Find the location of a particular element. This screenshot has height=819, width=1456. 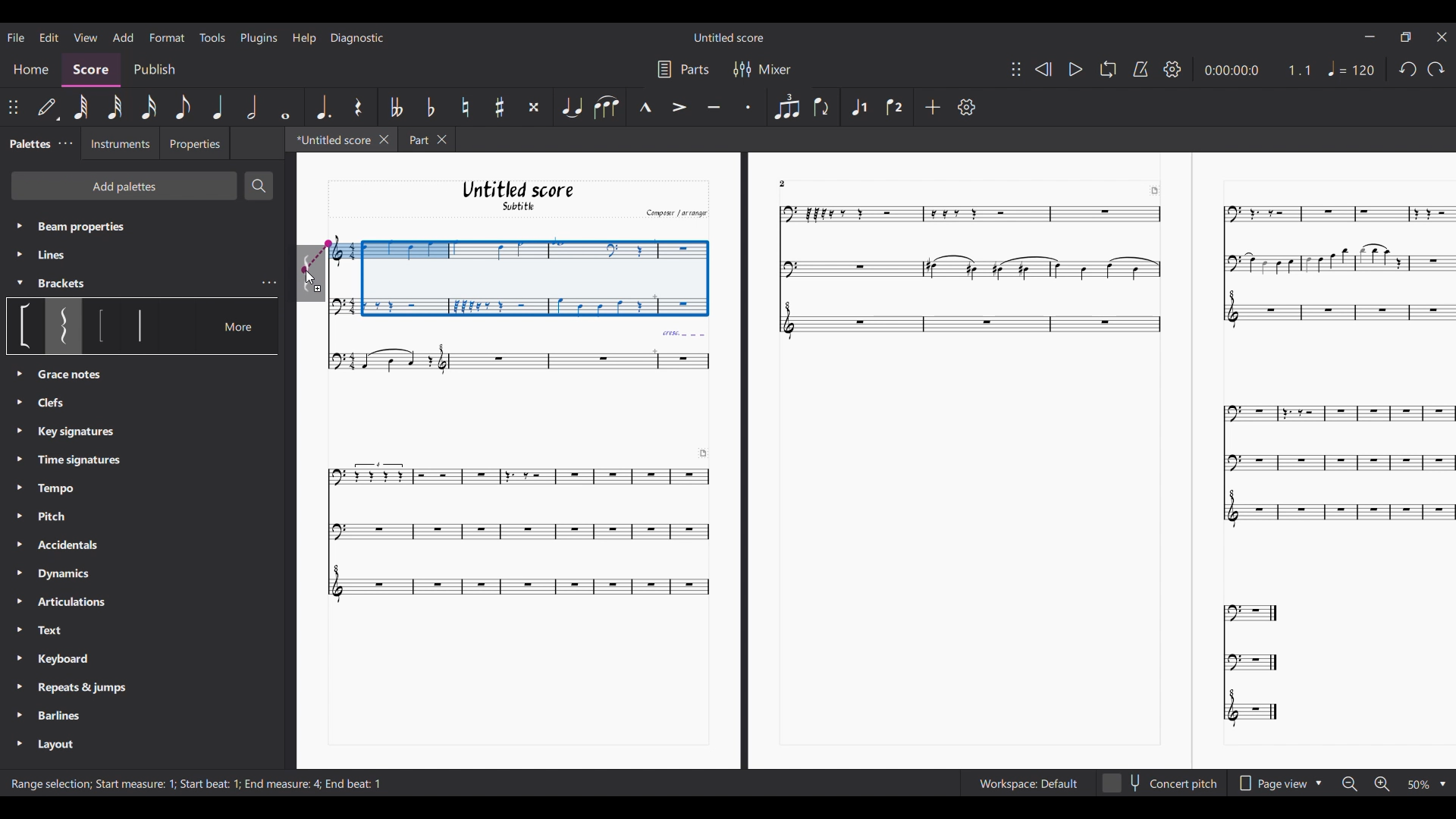

Change position is located at coordinates (13, 108).